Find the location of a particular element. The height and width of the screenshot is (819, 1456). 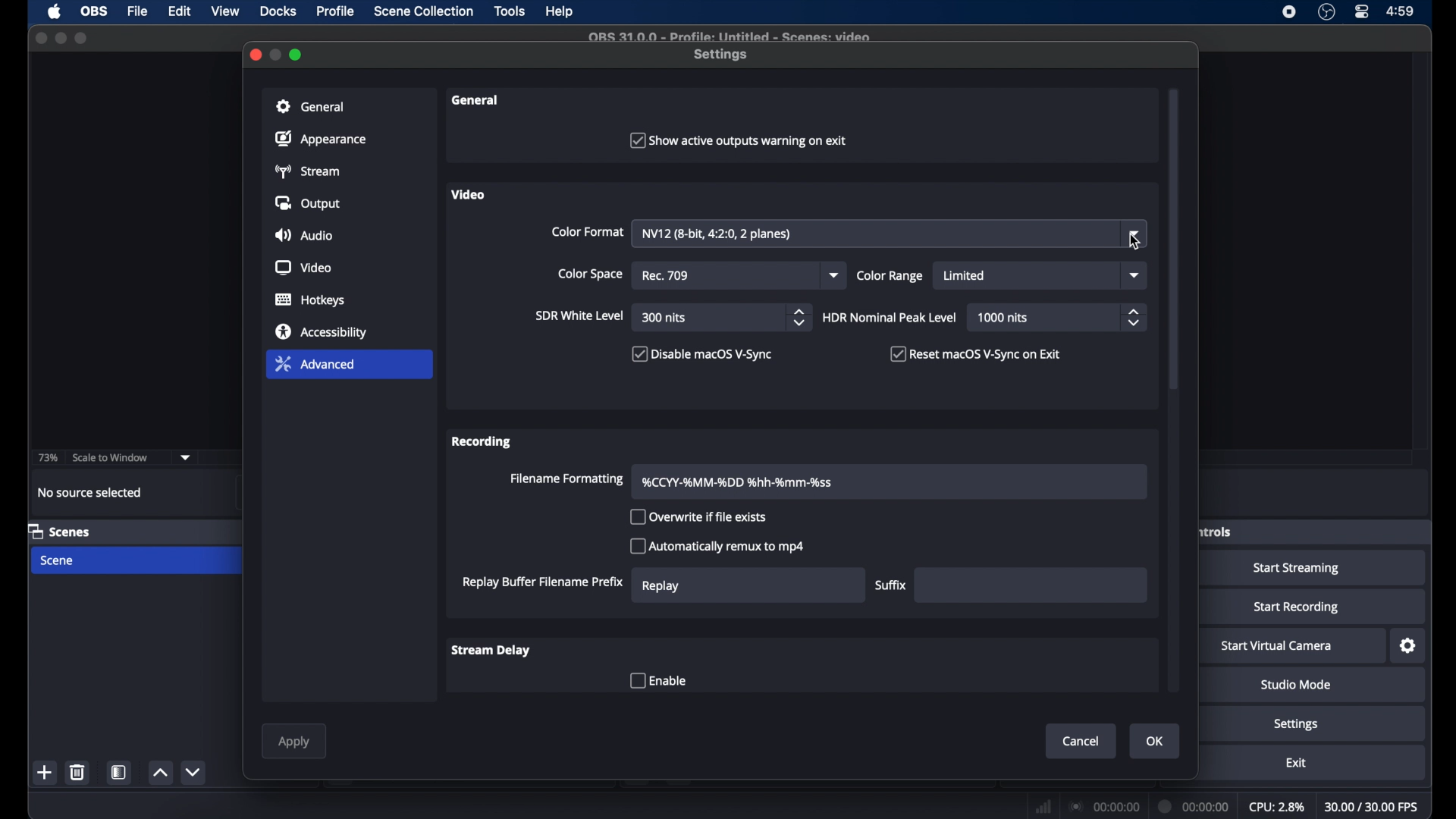

dropdown is located at coordinates (834, 275).